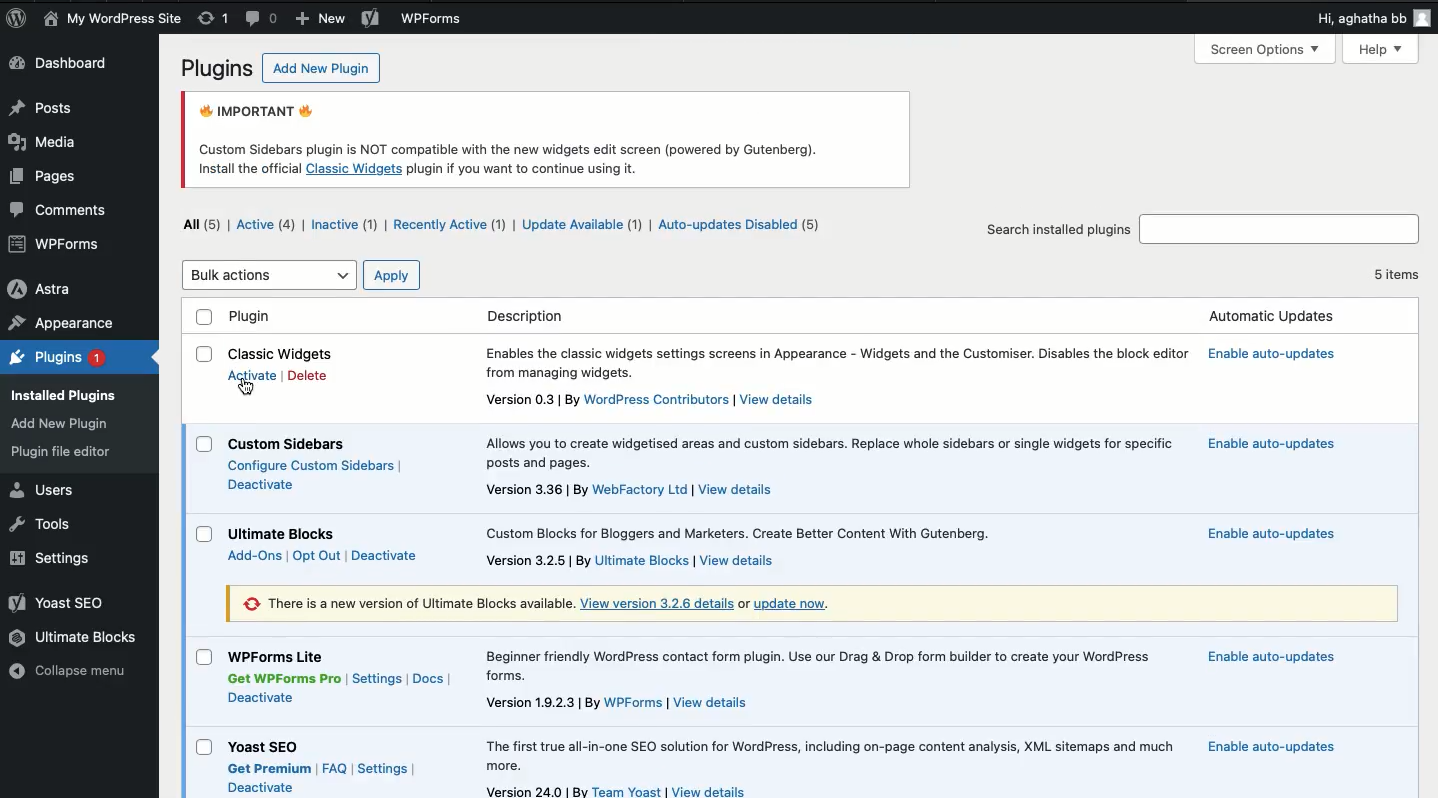 This screenshot has height=798, width=1438. Describe the element at coordinates (70, 393) in the screenshot. I see `Installed plugins` at that location.